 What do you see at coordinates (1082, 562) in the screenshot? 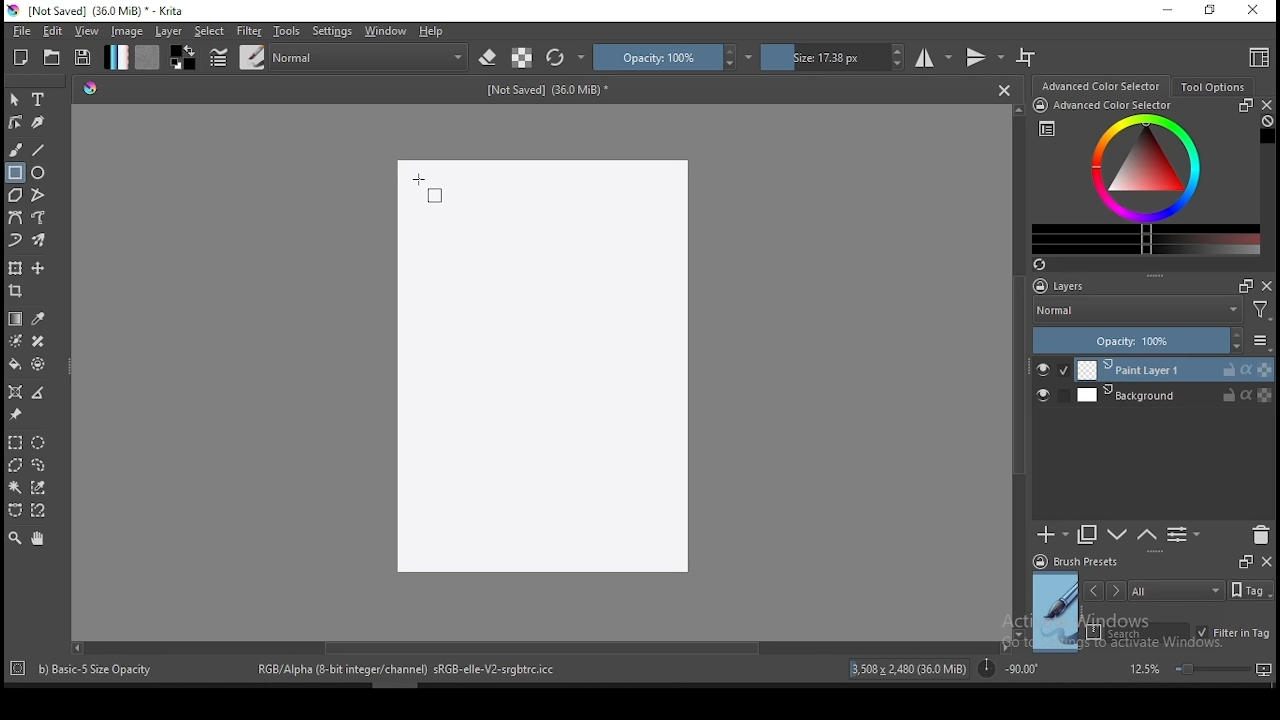
I see `brush presets` at bounding box center [1082, 562].